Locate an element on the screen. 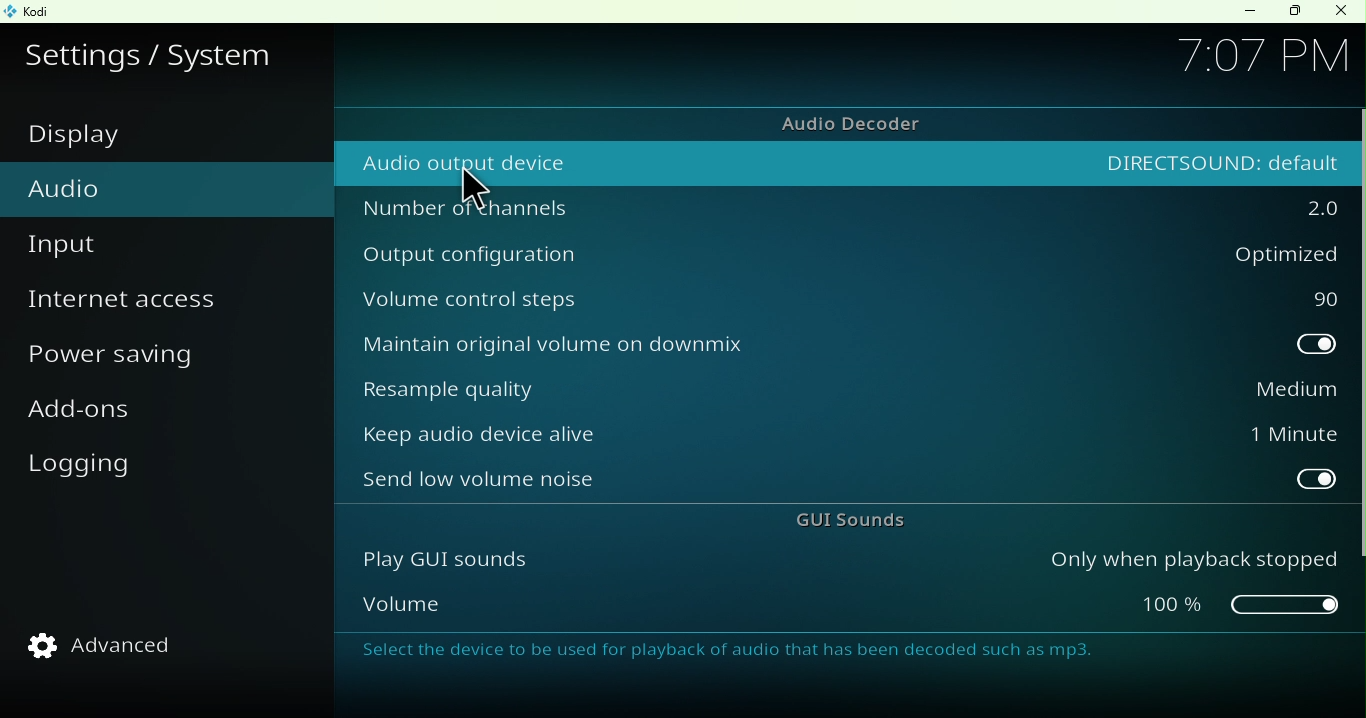  Resample quality is located at coordinates (720, 391).